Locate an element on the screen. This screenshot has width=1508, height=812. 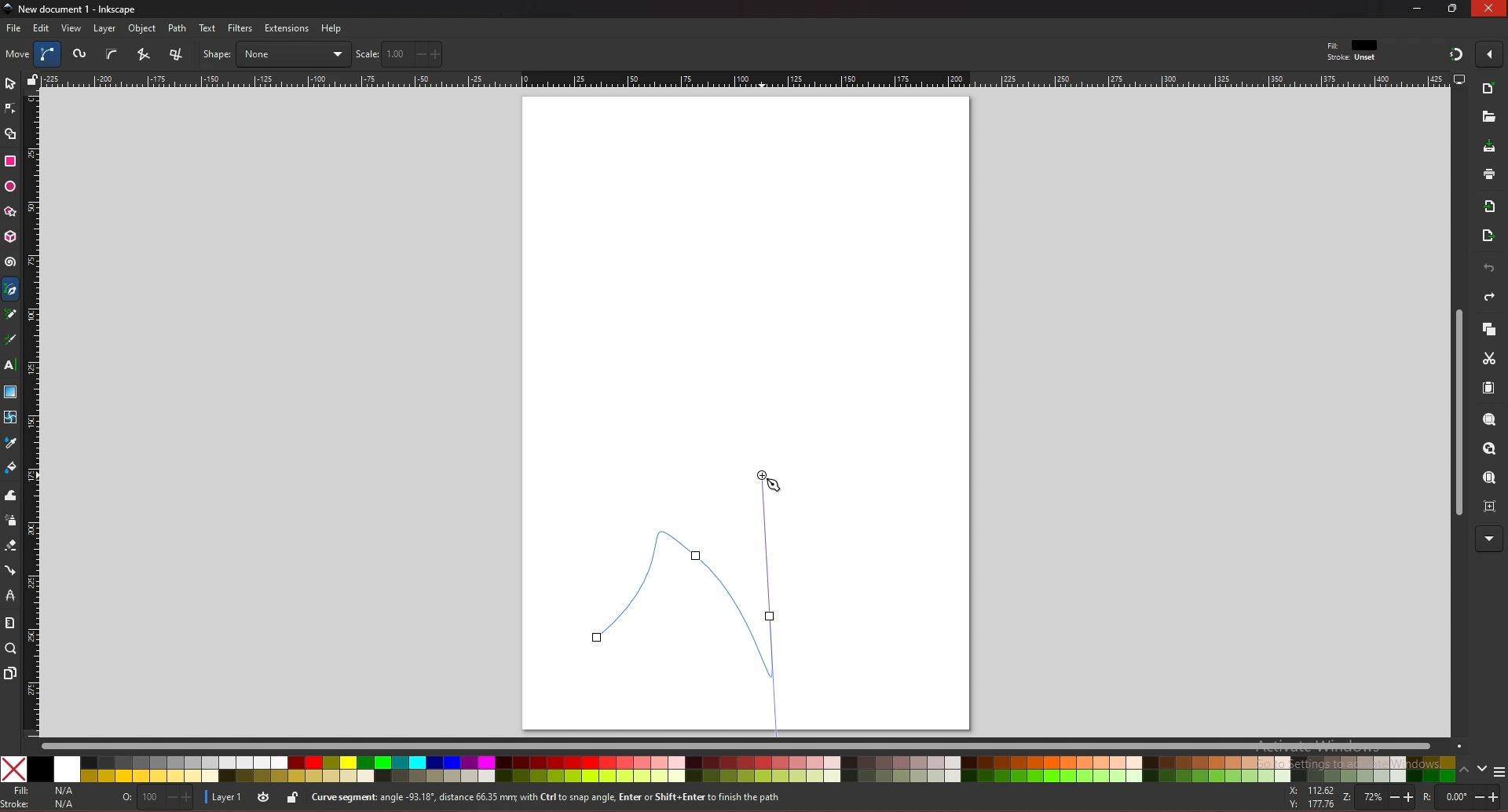
rotate is located at coordinates (1463, 797).